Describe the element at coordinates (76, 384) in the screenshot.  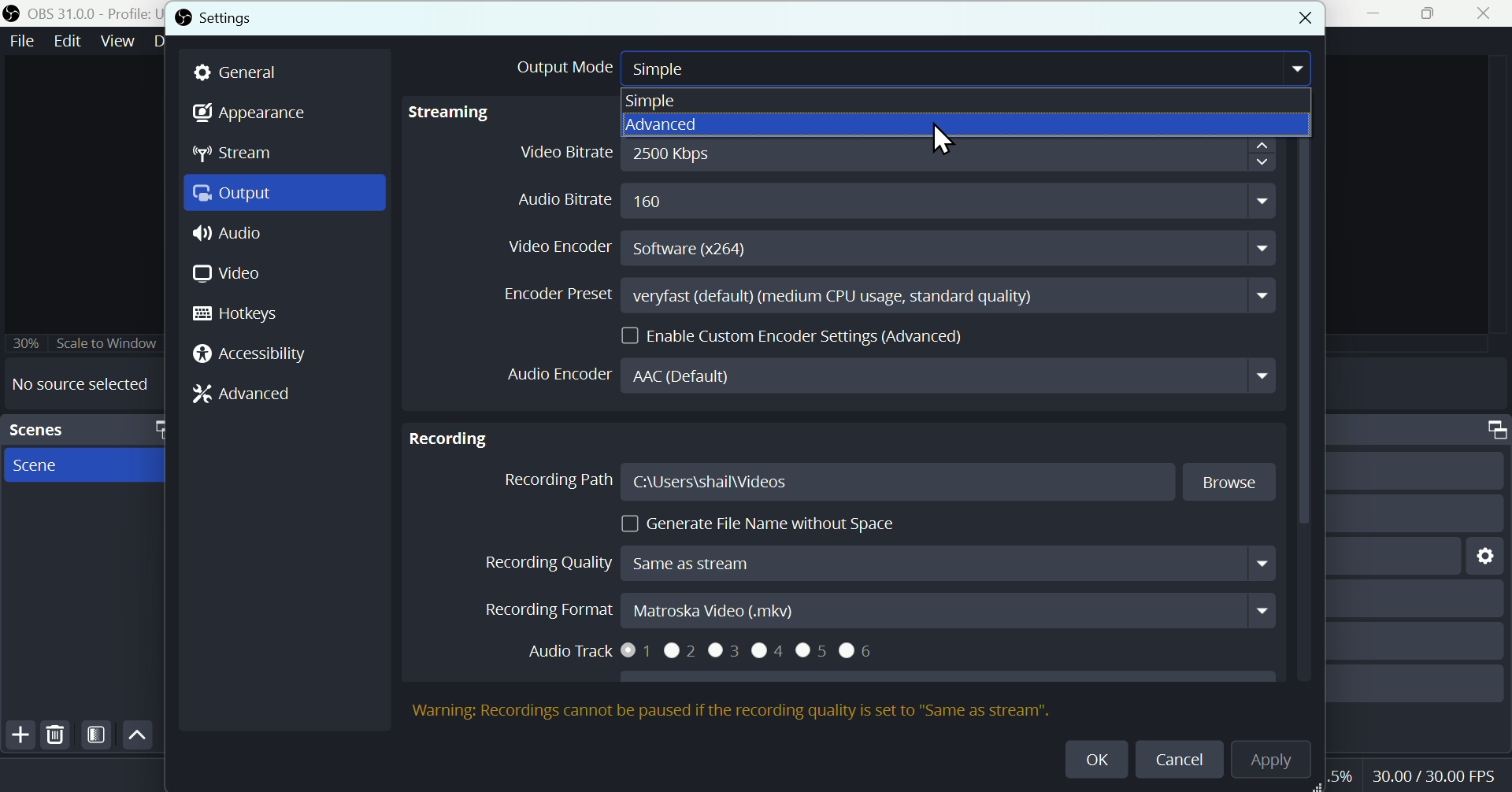
I see `no source selected` at that location.